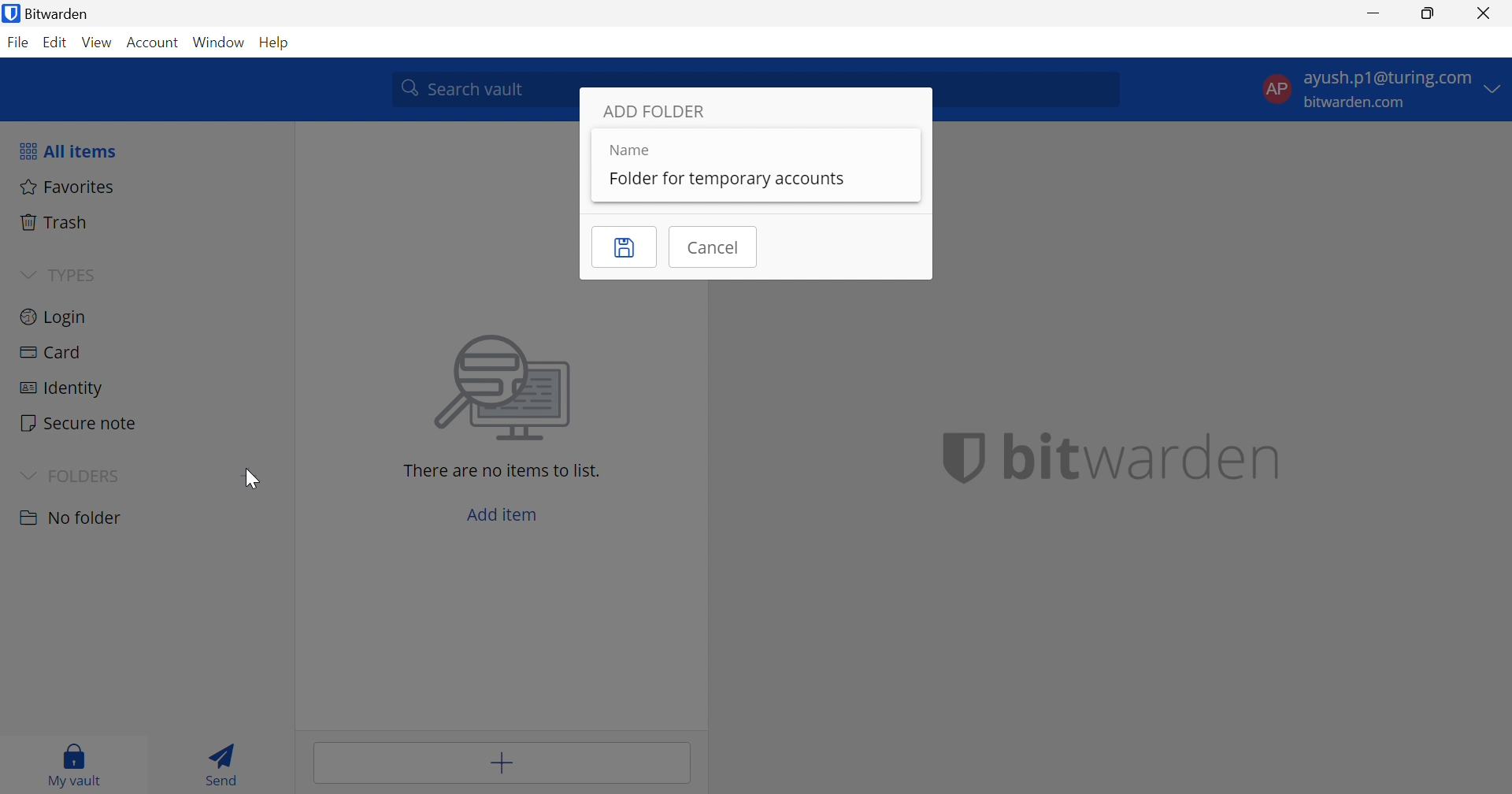  What do you see at coordinates (73, 274) in the screenshot?
I see `TYPES` at bounding box center [73, 274].